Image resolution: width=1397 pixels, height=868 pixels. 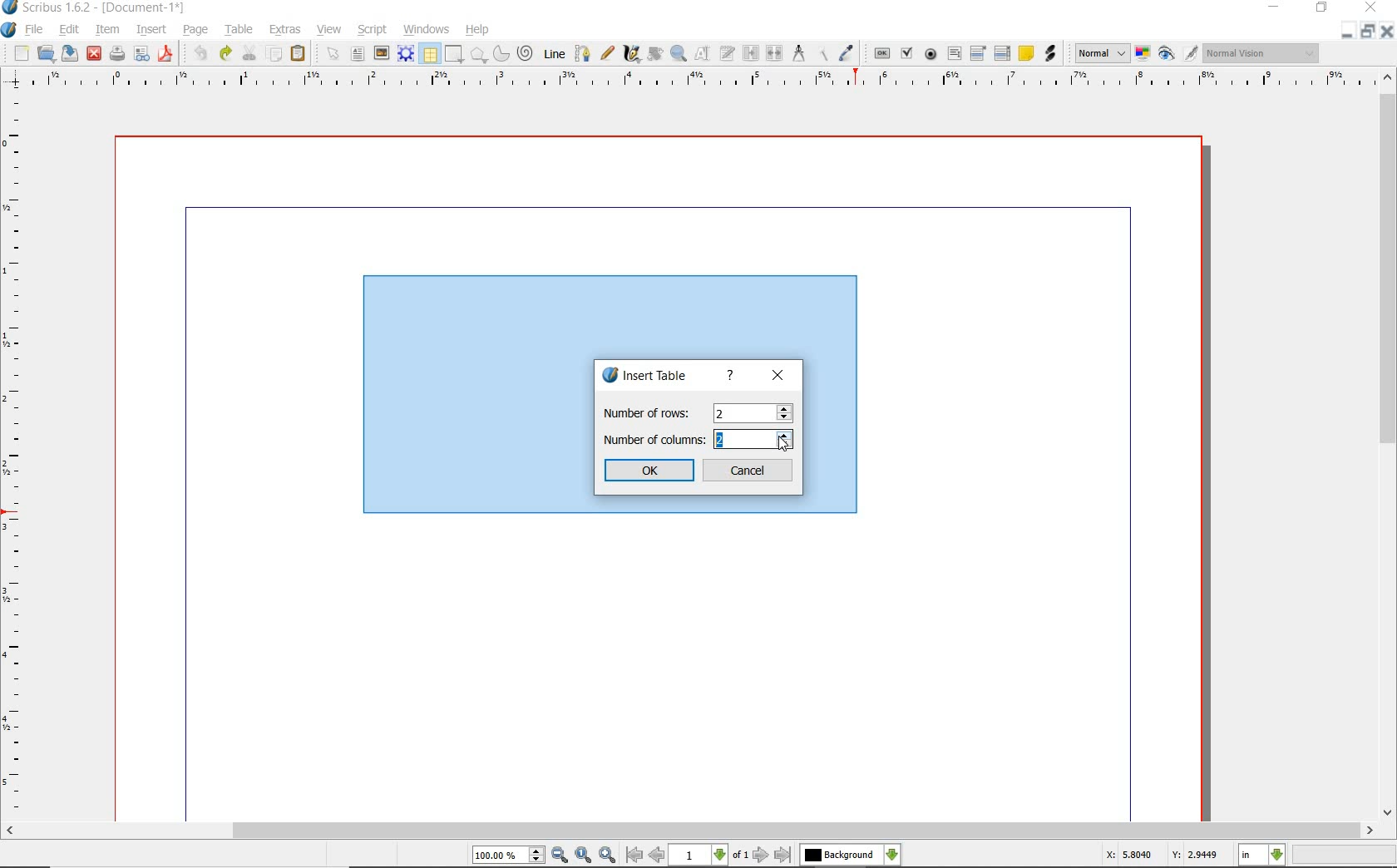 What do you see at coordinates (850, 855) in the screenshot?
I see `select the current layer` at bounding box center [850, 855].